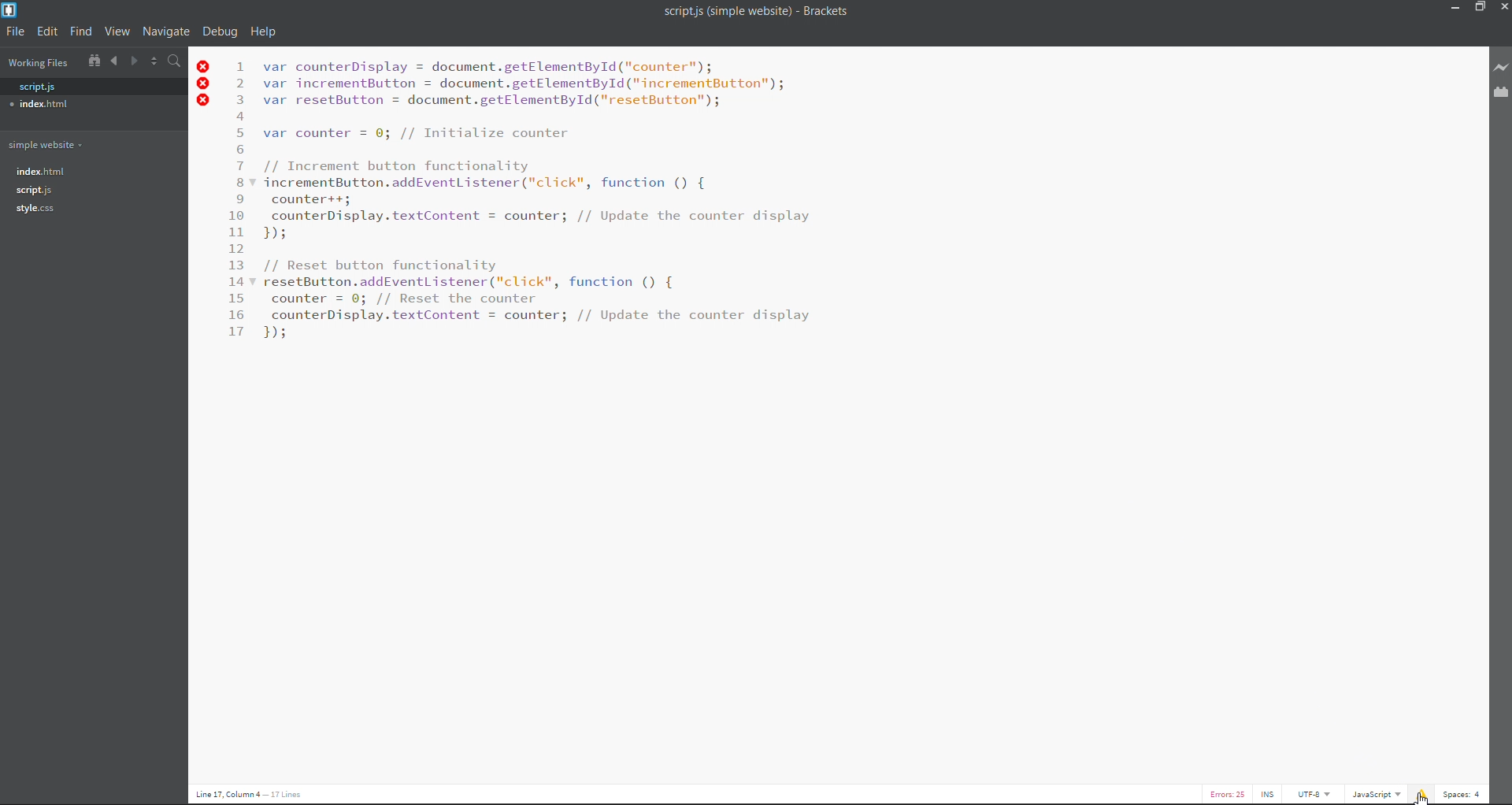 This screenshot has height=805, width=1512. Describe the element at coordinates (1421, 798) in the screenshot. I see `cursor ` at that location.